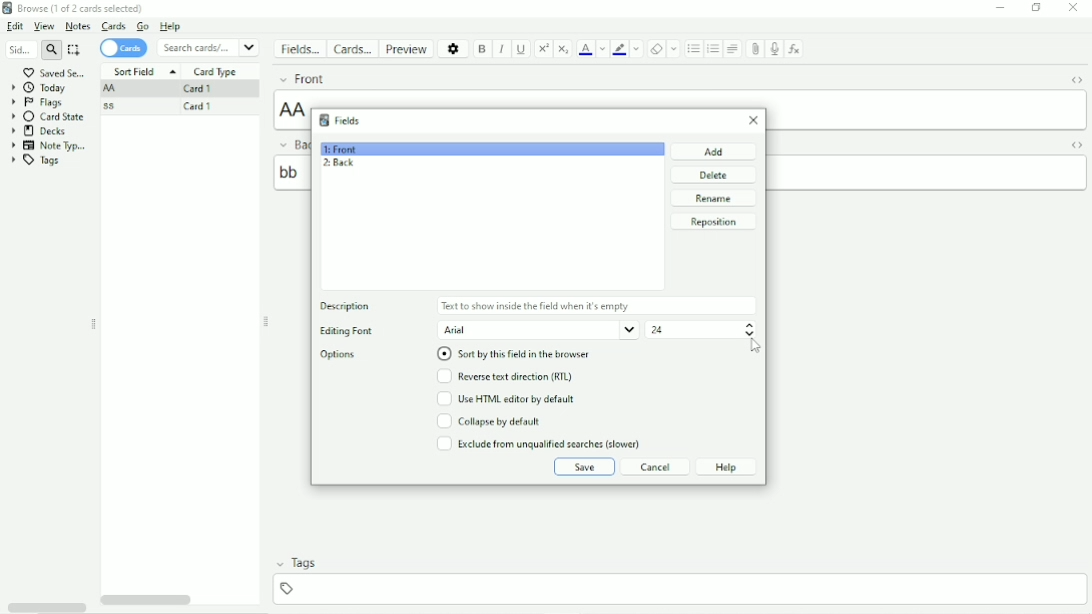  I want to click on Horizontal scrollbar, so click(149, 600).